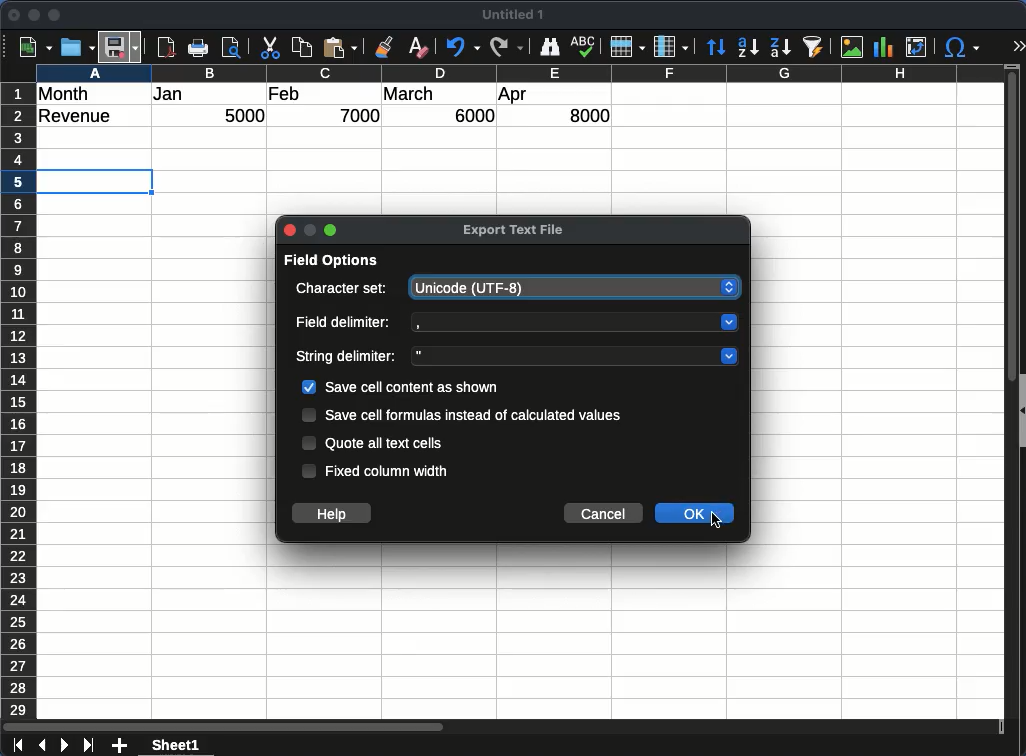 Image resolution: width=1026 pixels, height=756 pixels. Describe the element at coordinates (519, 72) in the screenshot. I see `column` at that location.